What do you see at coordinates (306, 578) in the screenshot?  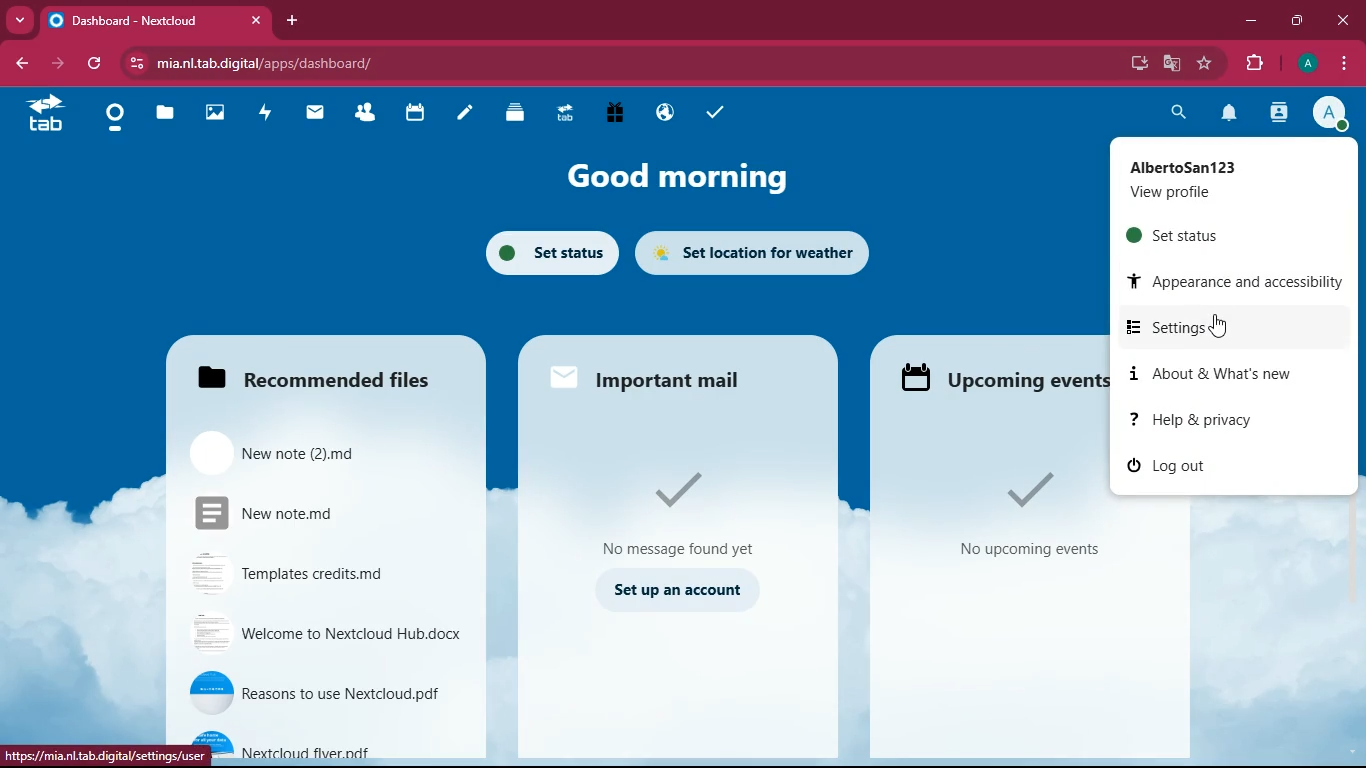 I see `Templates credits.md` at bounding box center [306, 578].